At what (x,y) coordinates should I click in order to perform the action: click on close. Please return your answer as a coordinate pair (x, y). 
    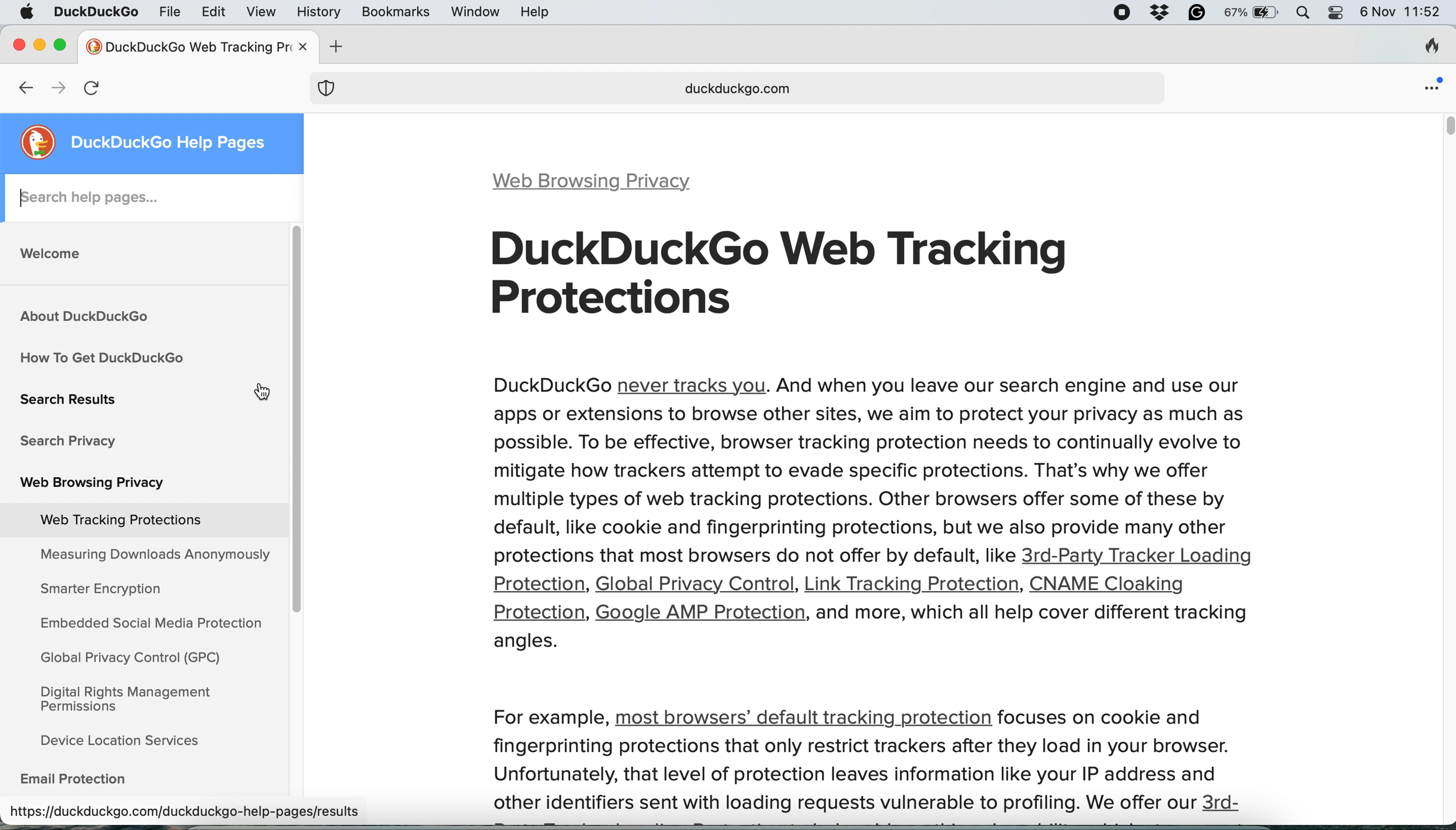
    Looking at the image, I should click on (299, 48).